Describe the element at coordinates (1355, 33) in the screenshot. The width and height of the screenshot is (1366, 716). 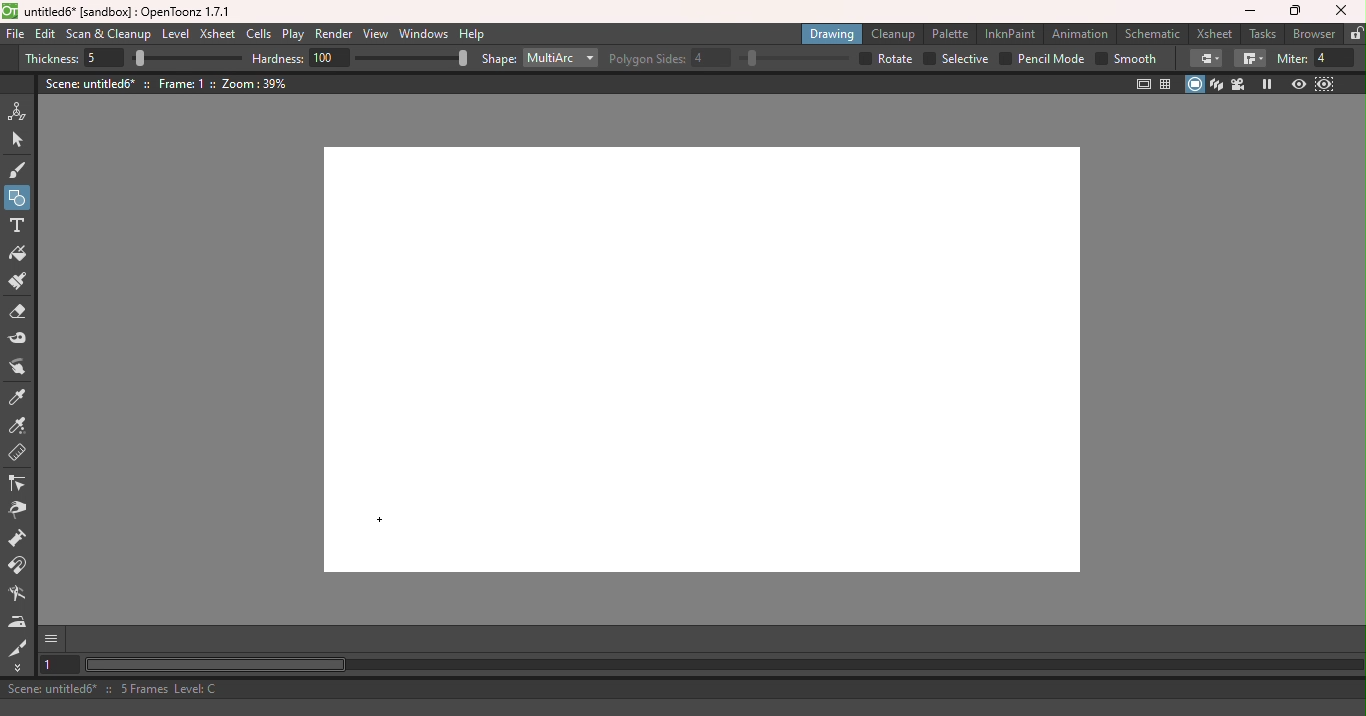
I see `Lock rooms tab` at that location.